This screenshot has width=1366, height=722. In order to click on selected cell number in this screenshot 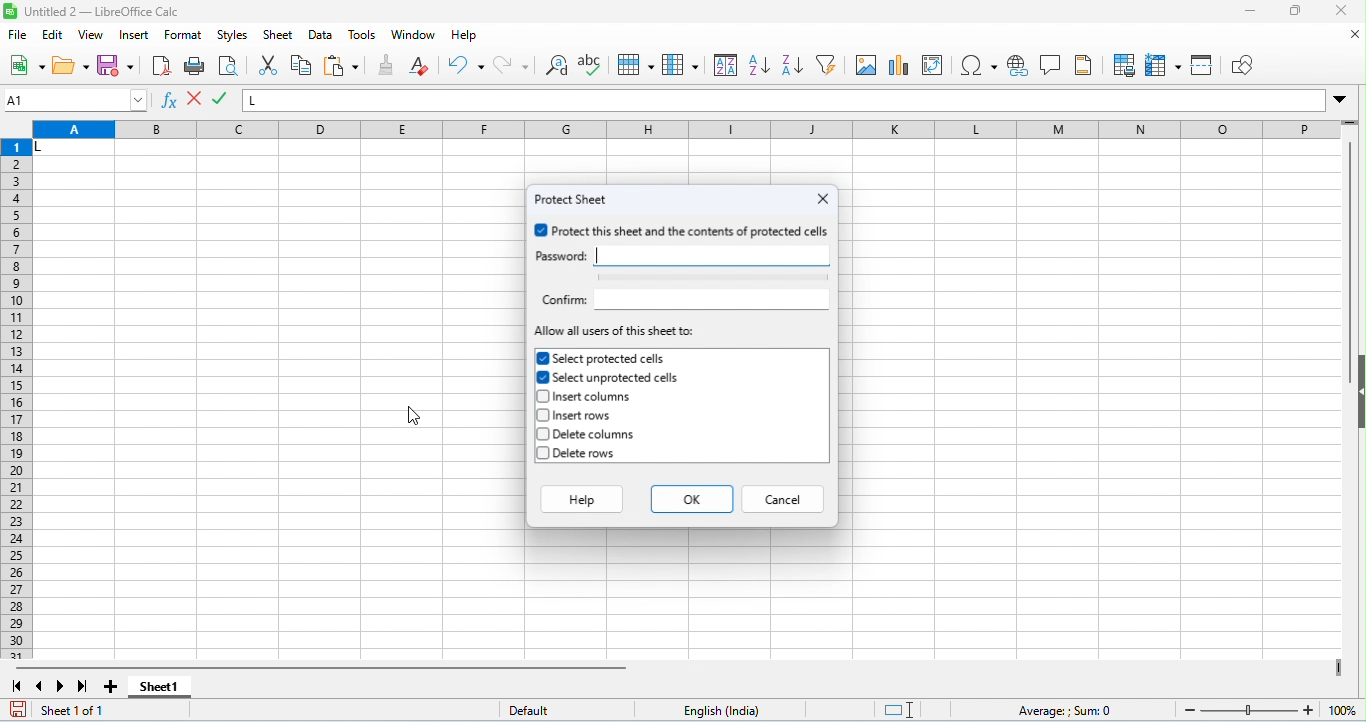, I will do `click(76, 100)`.